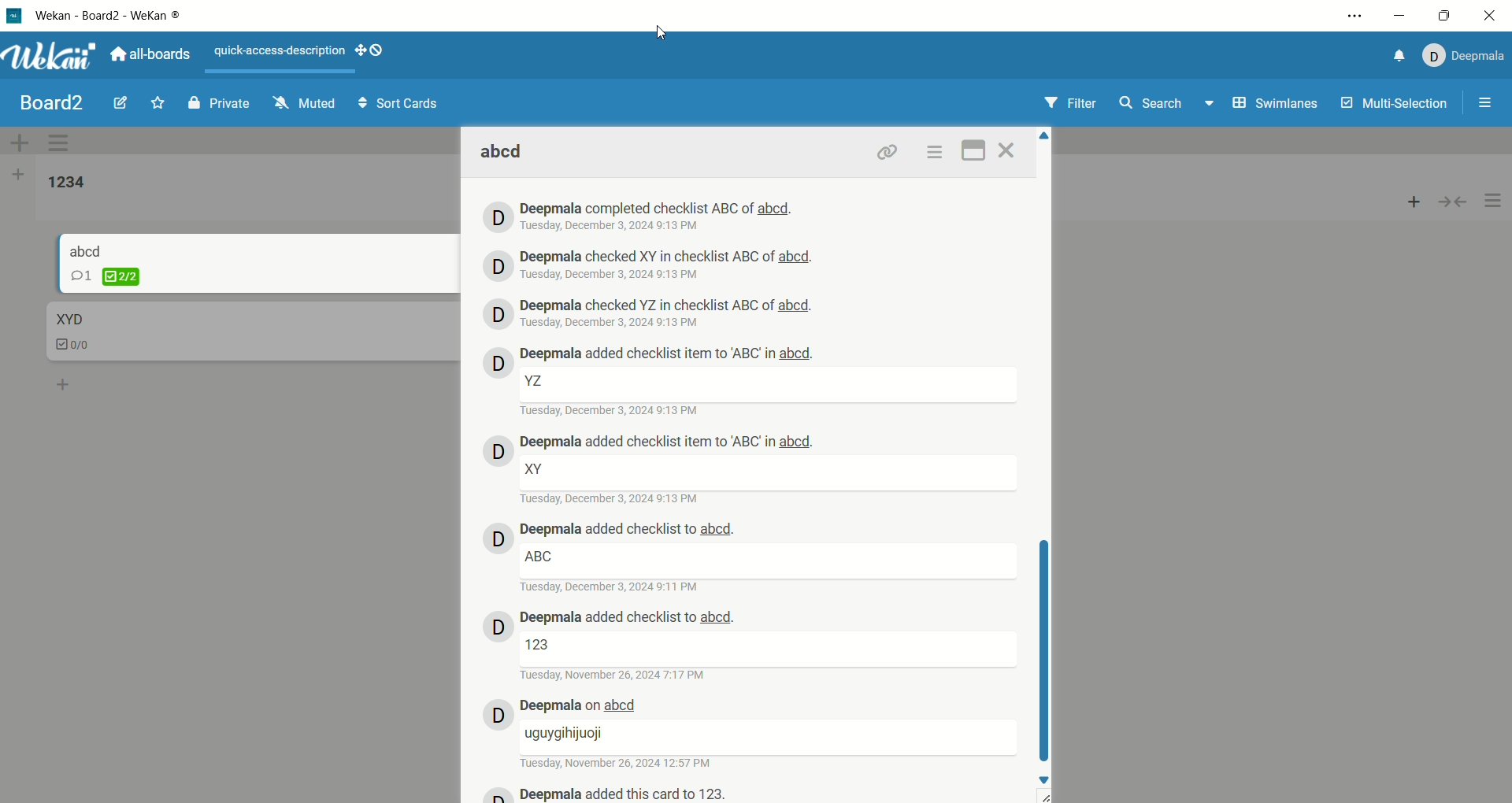 The image size is (1512, 803). Describe the element at coordinates (668, 443) in the screenshot. I see `deepmala history` at that location.